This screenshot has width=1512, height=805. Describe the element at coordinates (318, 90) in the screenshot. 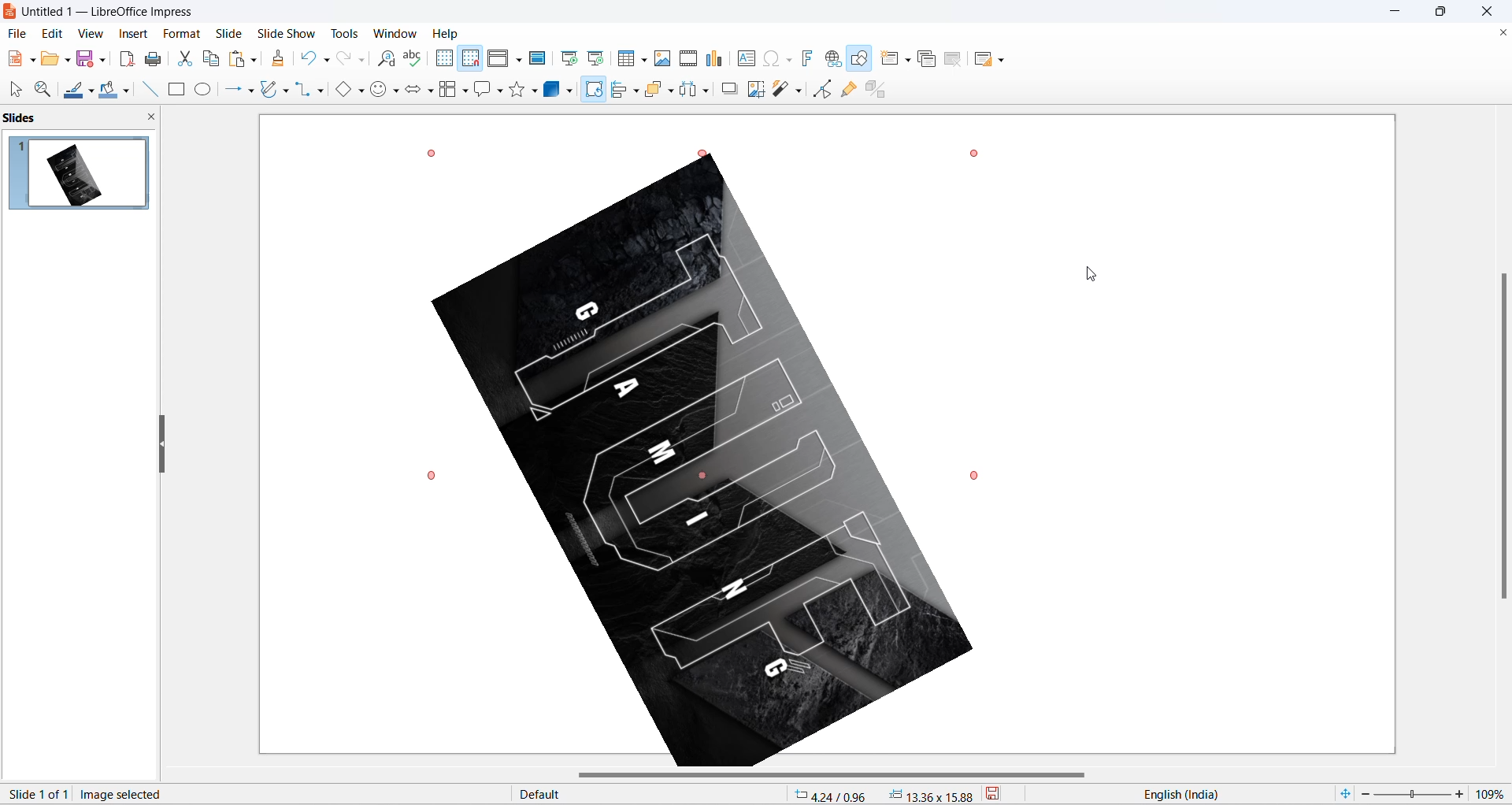

I see `connectors options` at that location.